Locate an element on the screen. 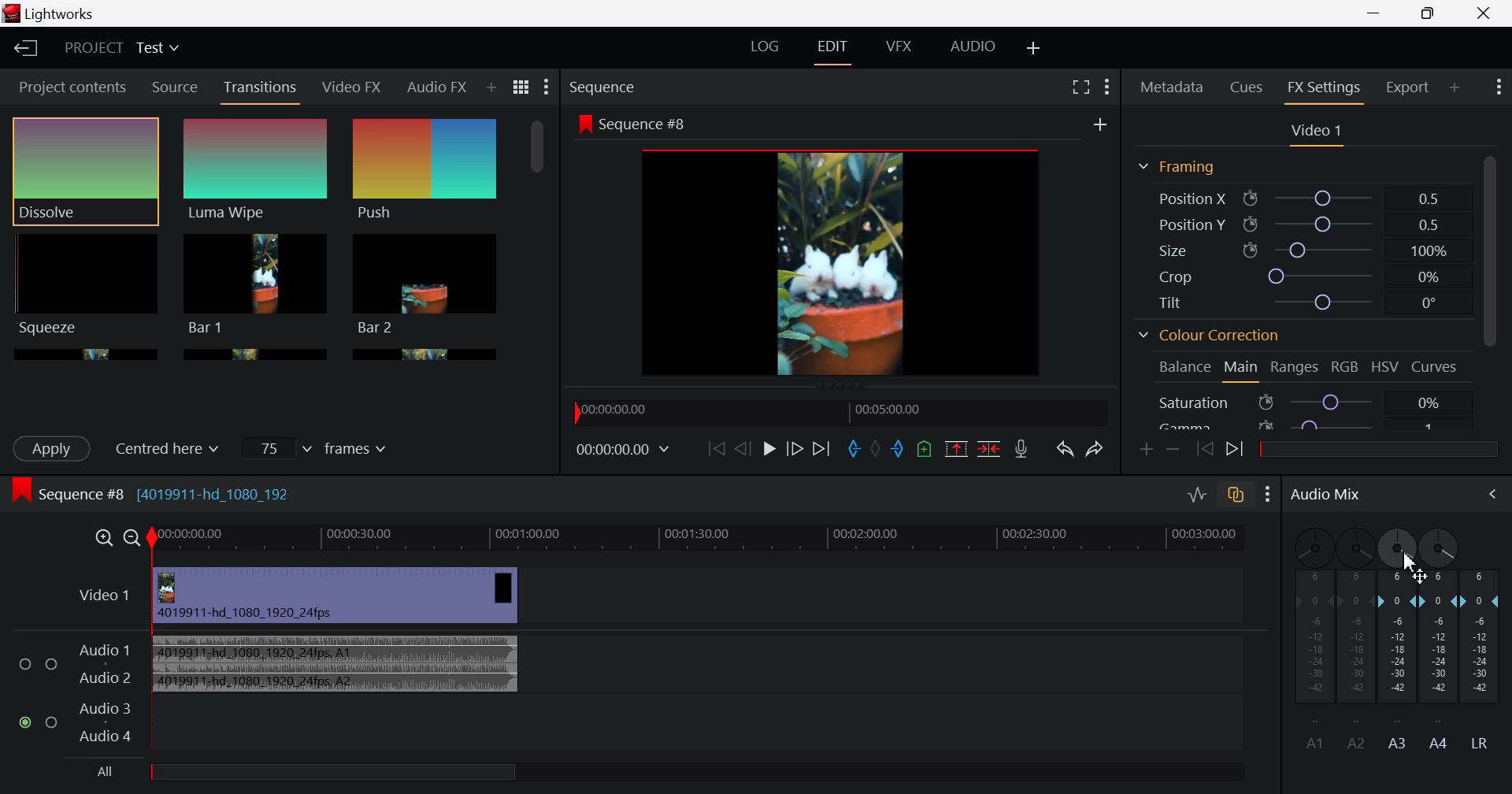 The height and width of the screenshot is (794, 1512). Add Layout is located at coordinates (1032, 47).